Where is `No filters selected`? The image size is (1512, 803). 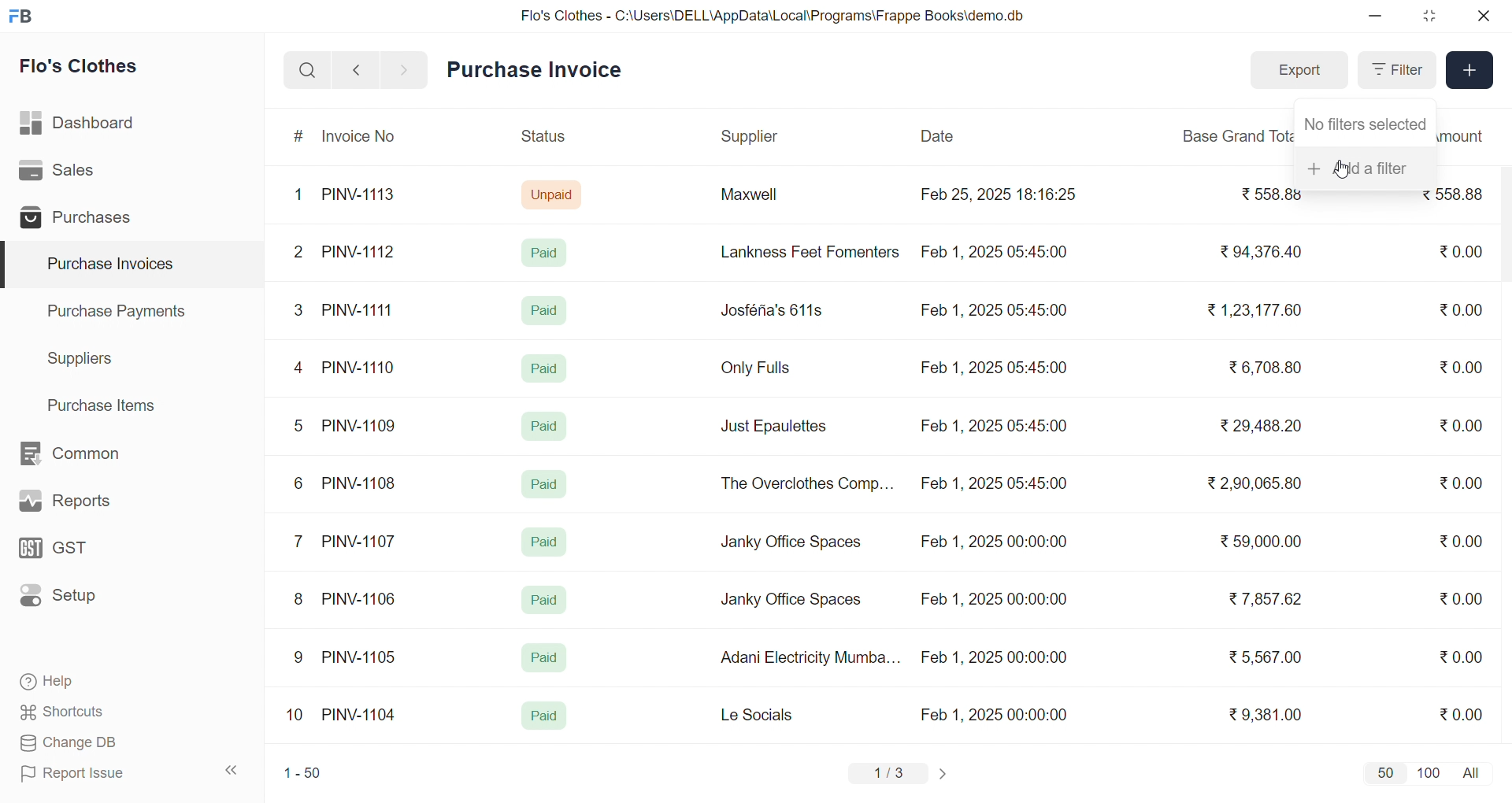 No filters selected is located at coordinates (1366, 121).